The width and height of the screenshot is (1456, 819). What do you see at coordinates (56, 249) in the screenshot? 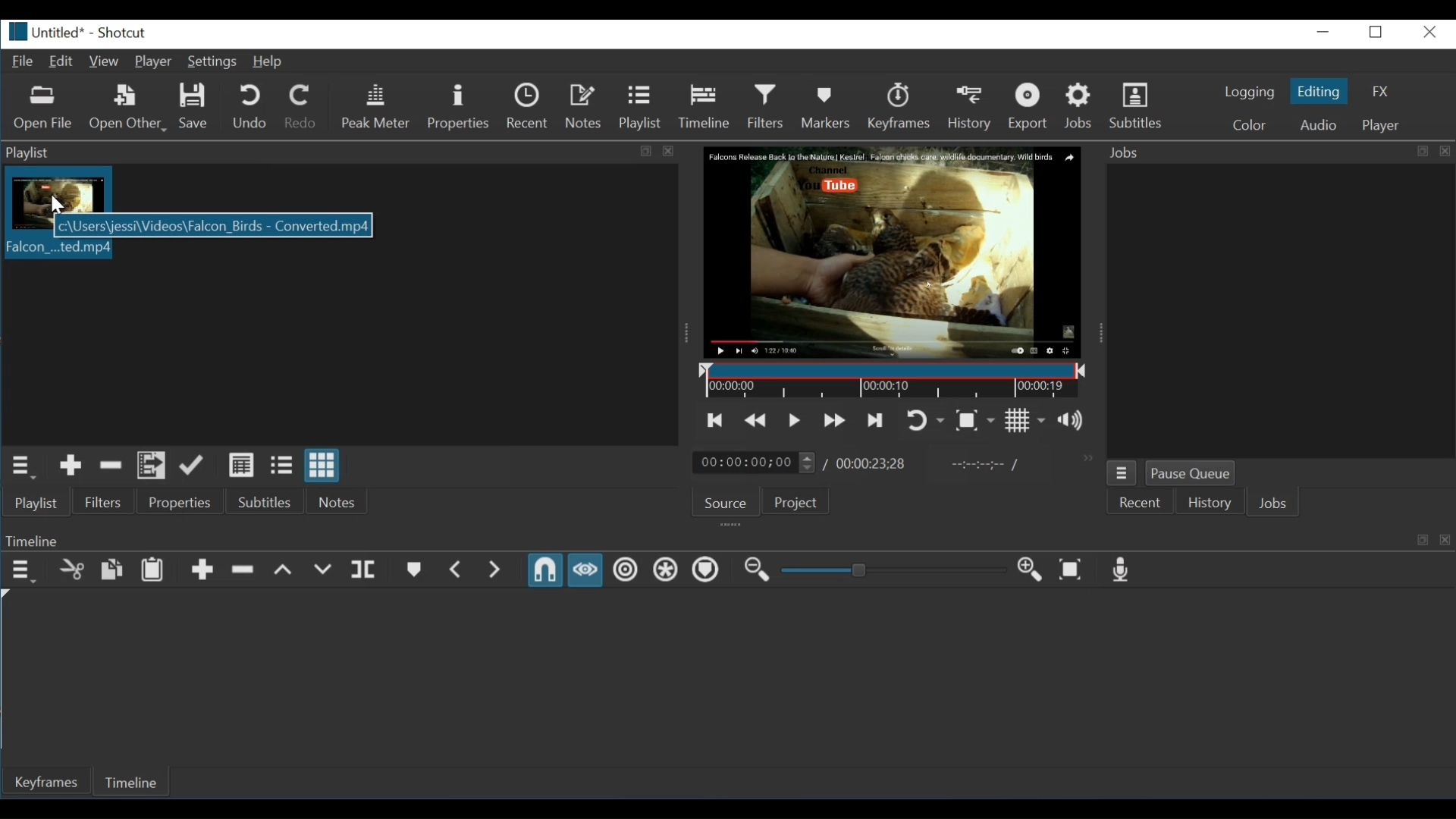
I see `clip thumbnail` at bounding box center [56, 249].